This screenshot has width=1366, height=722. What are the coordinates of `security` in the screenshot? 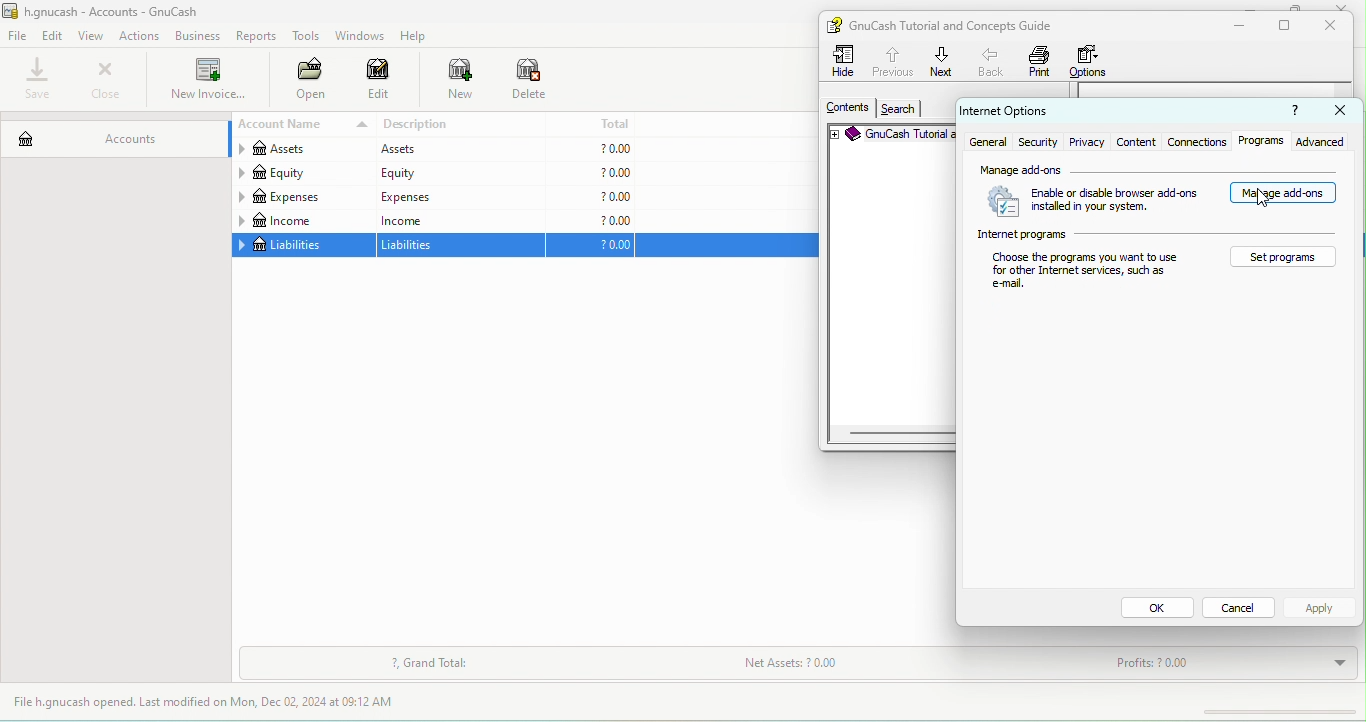 It's located at (1041, 142).